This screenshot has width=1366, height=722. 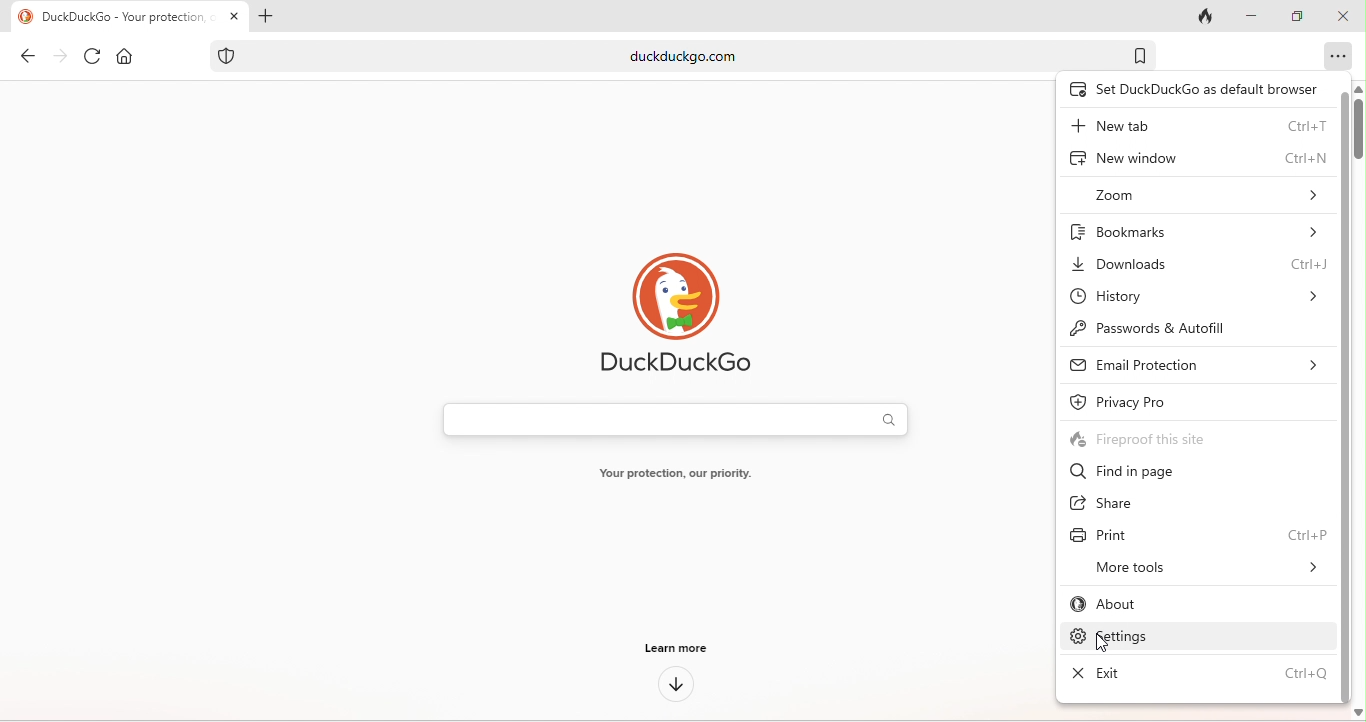 What do you see at coordinates (56, 57) in the screenshot?
I see `forward` at bounding box center [56, 57].